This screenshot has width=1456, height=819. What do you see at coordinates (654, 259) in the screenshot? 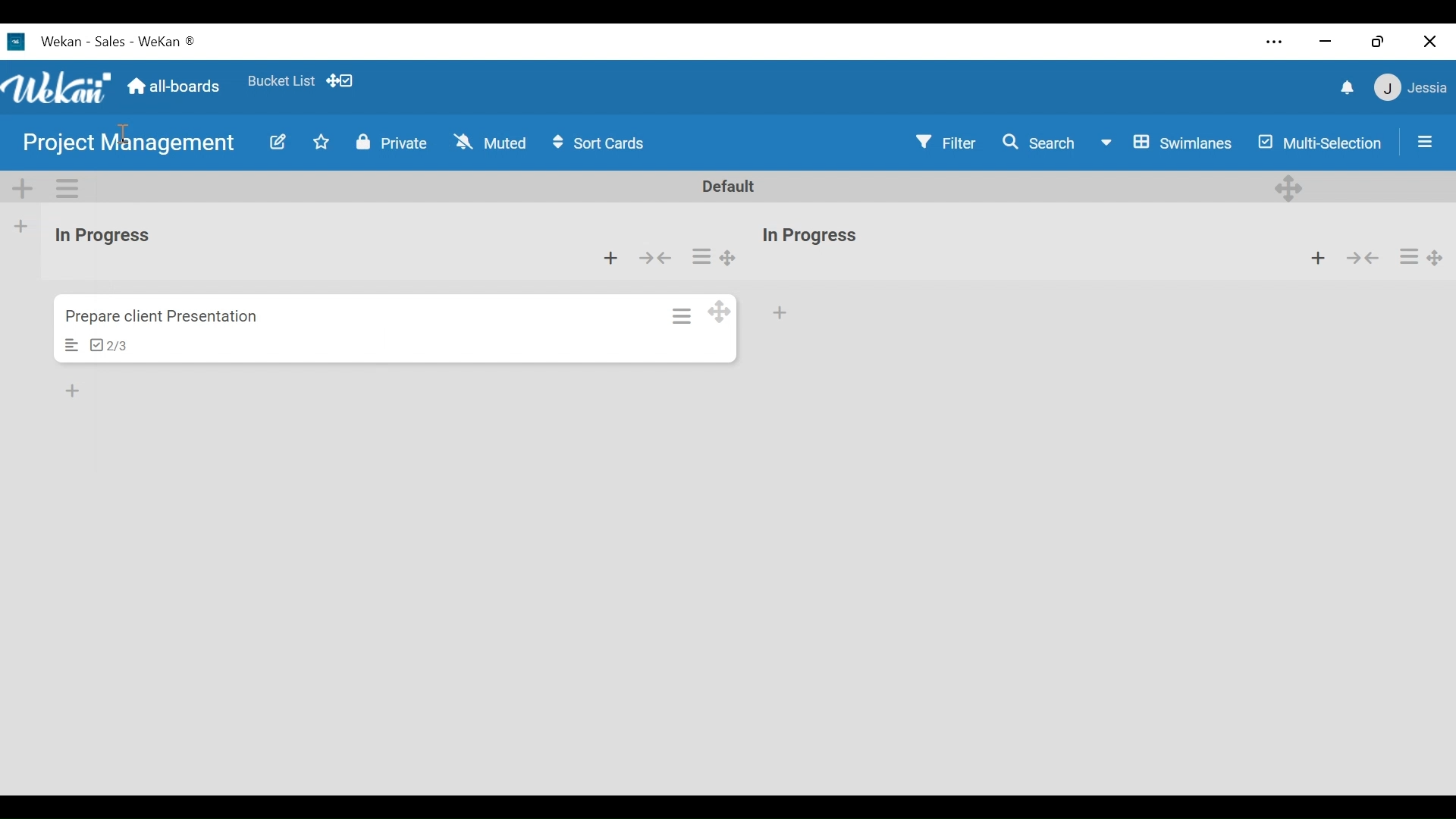
I see `Collapse` at bounding box center [654, 259].